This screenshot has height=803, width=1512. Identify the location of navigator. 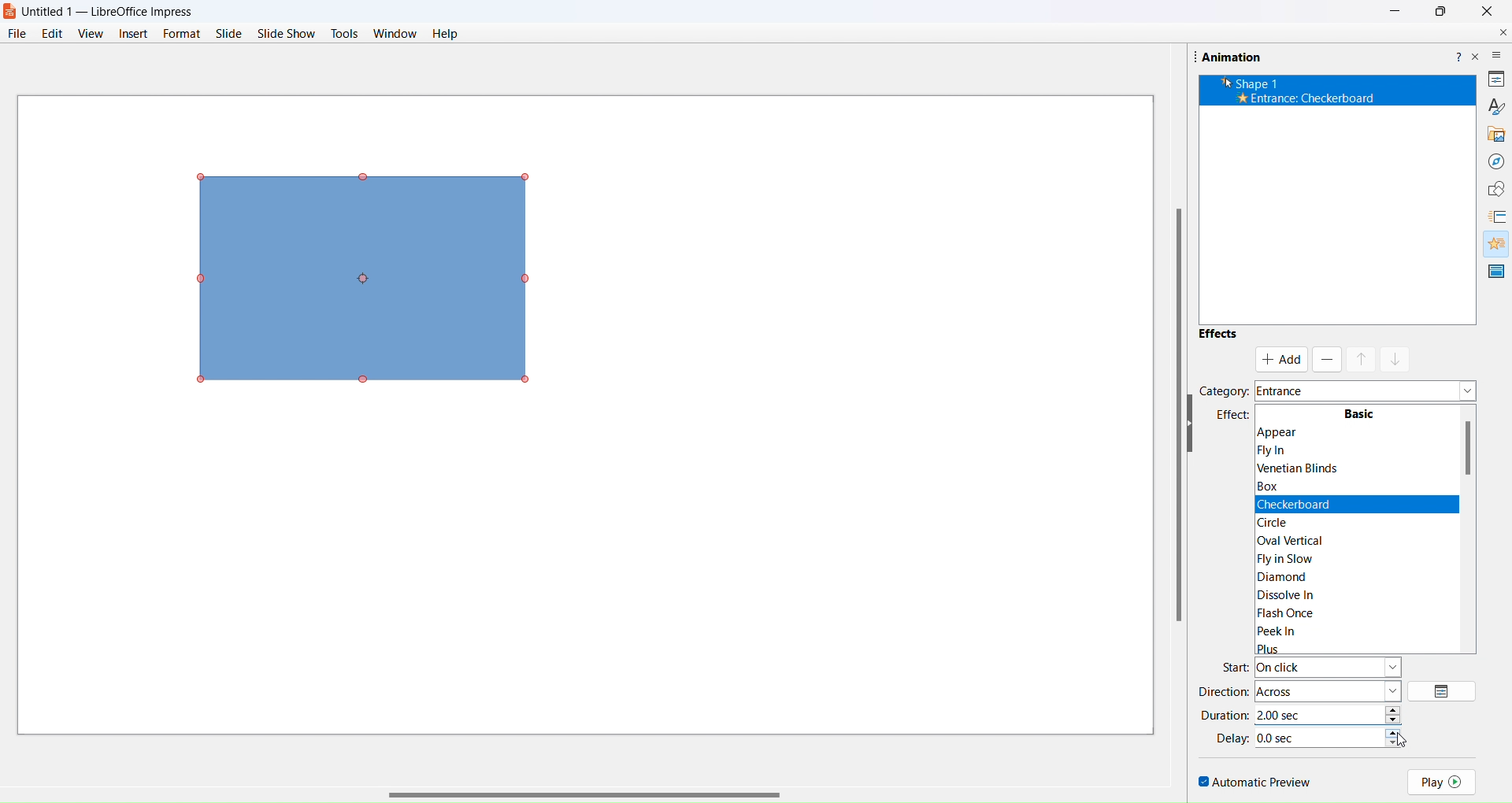
(1495, 161).